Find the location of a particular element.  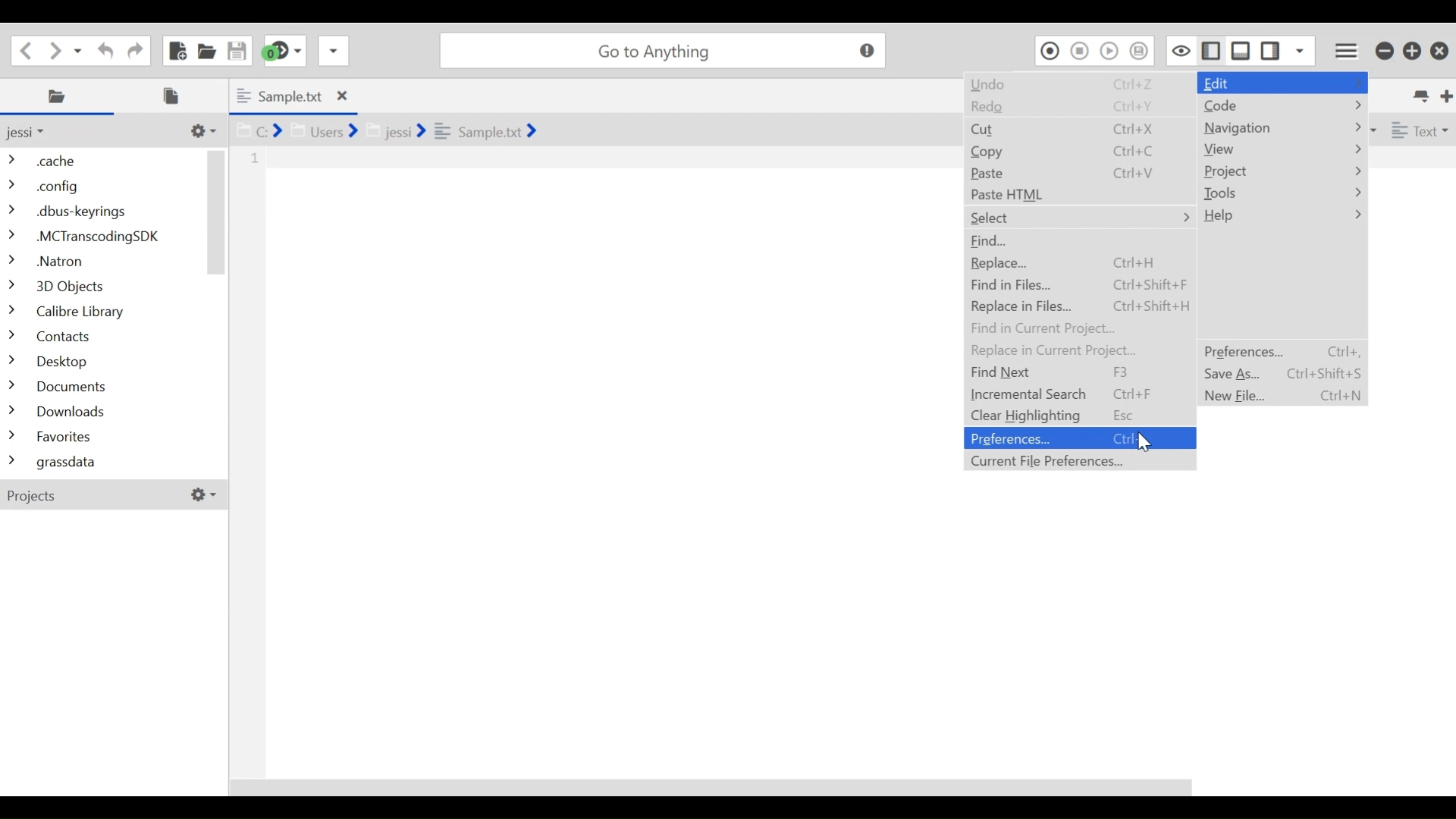

Clear Highlighting  is located at coordinates (1080, 416).